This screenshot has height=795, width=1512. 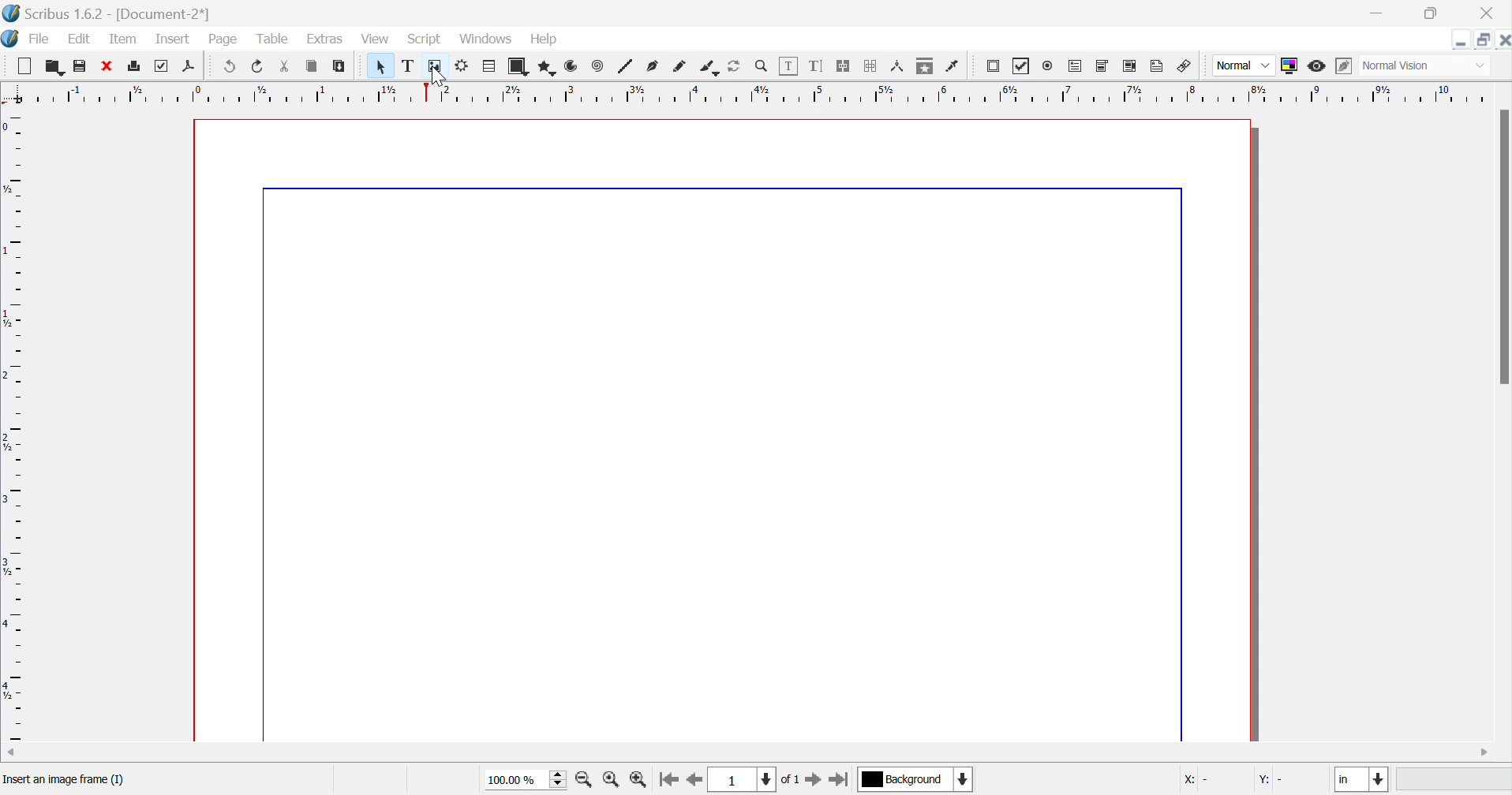 What do you see at coordinates (133, 65) in the screenshot?
I see `print` at bounding box center [133, 65].